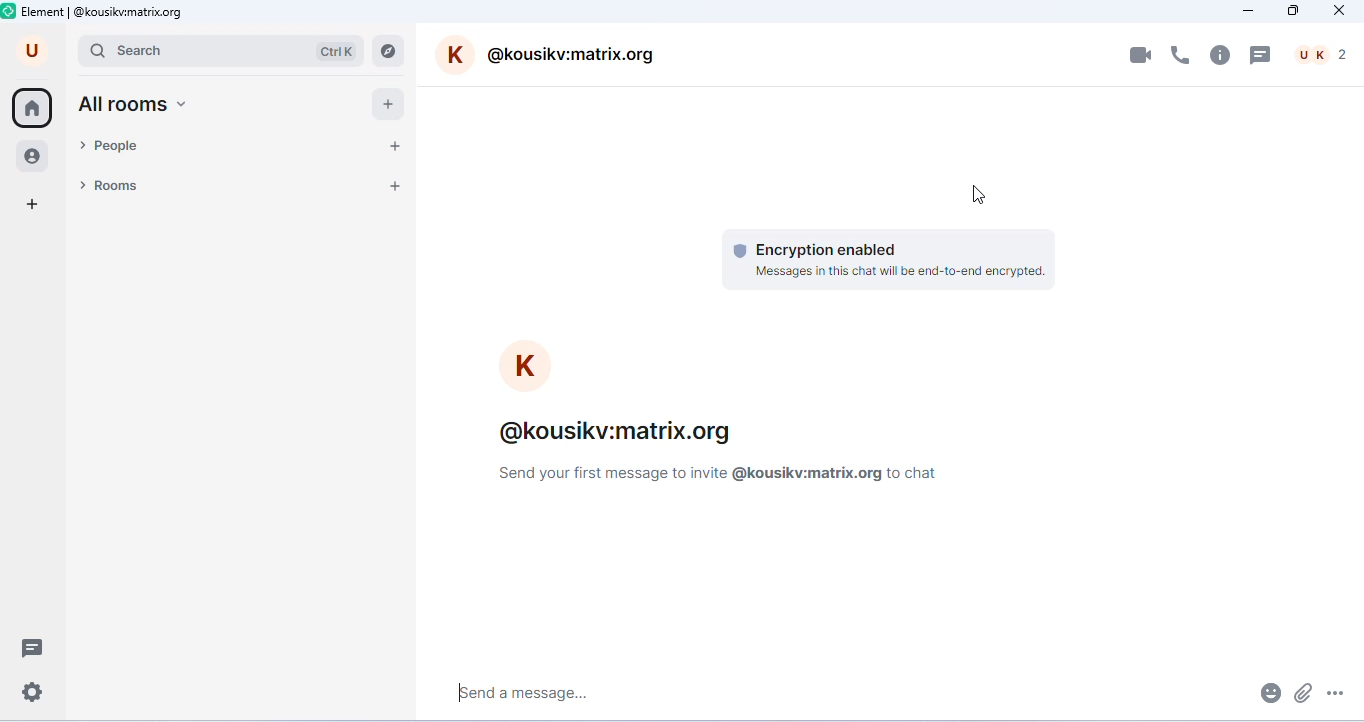  What do you see at coordinates (552, 55) in the screenshot?
I see `@kousikv:matrix.org` at bounding box center [552, 55].